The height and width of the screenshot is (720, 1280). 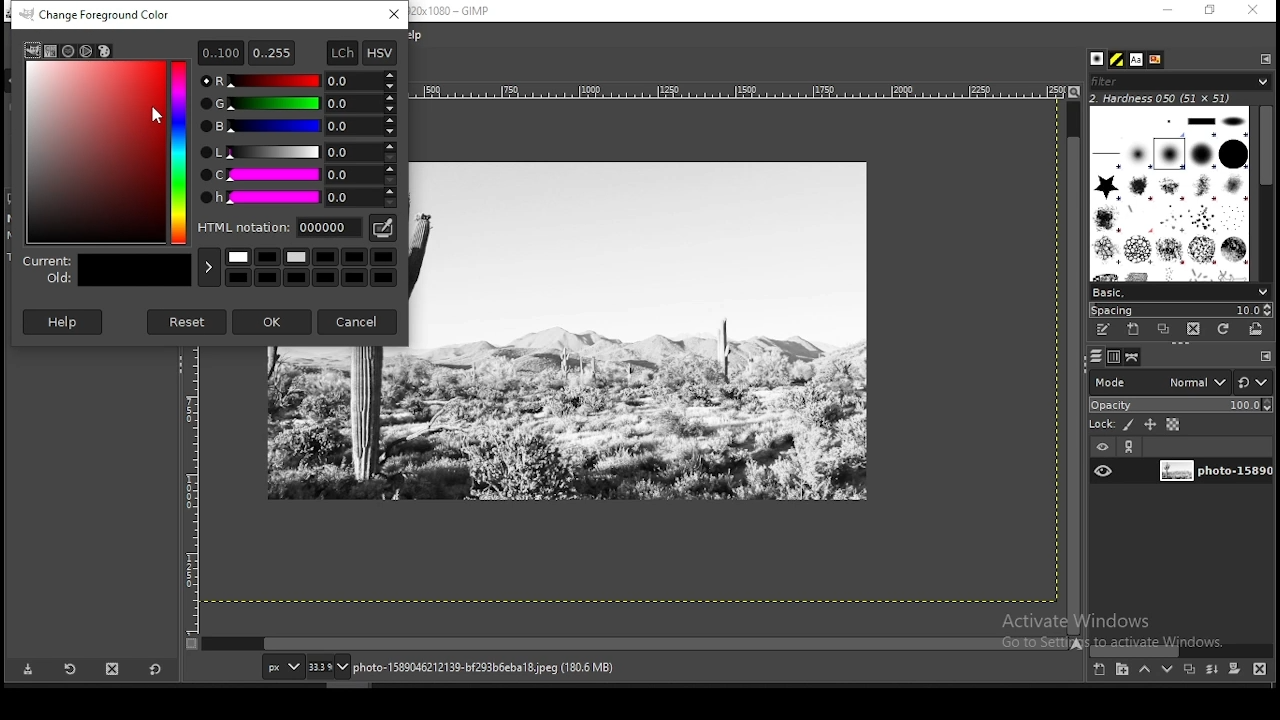 I want to click on layer visibility, so click(x=1101, y=448).